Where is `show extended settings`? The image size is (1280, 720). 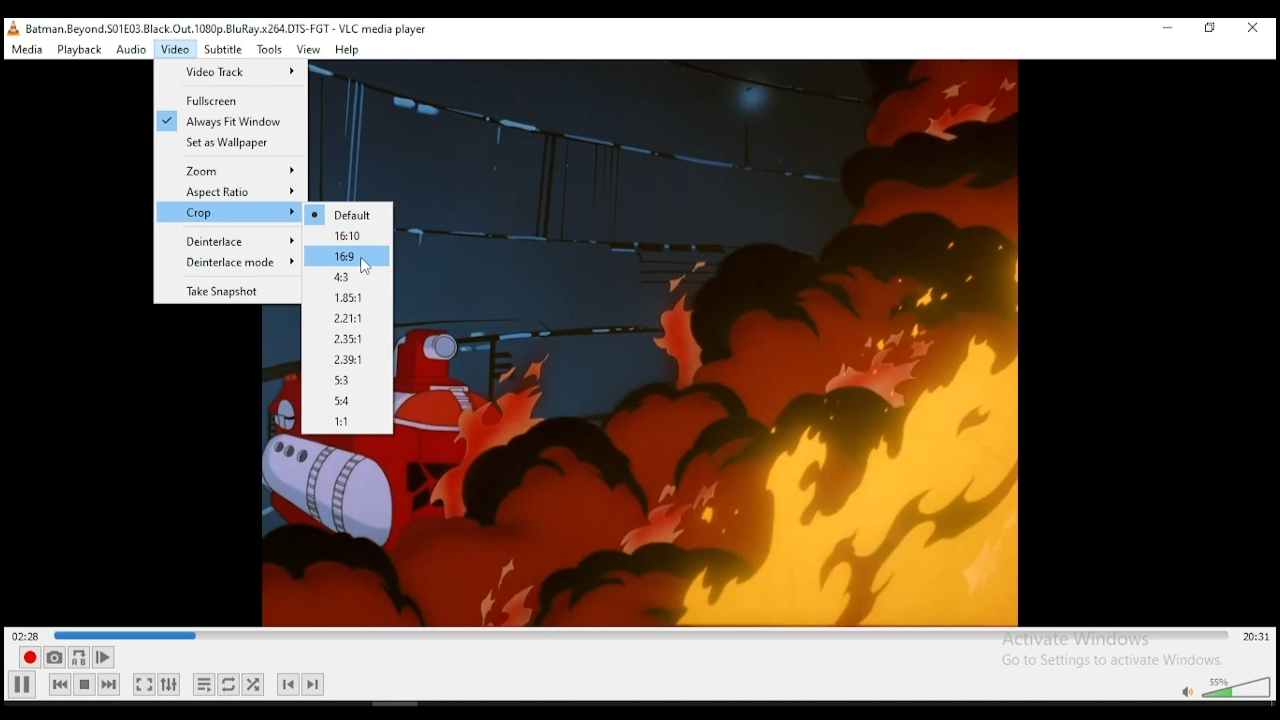 show extended settings is located at coordinates (169, 684).